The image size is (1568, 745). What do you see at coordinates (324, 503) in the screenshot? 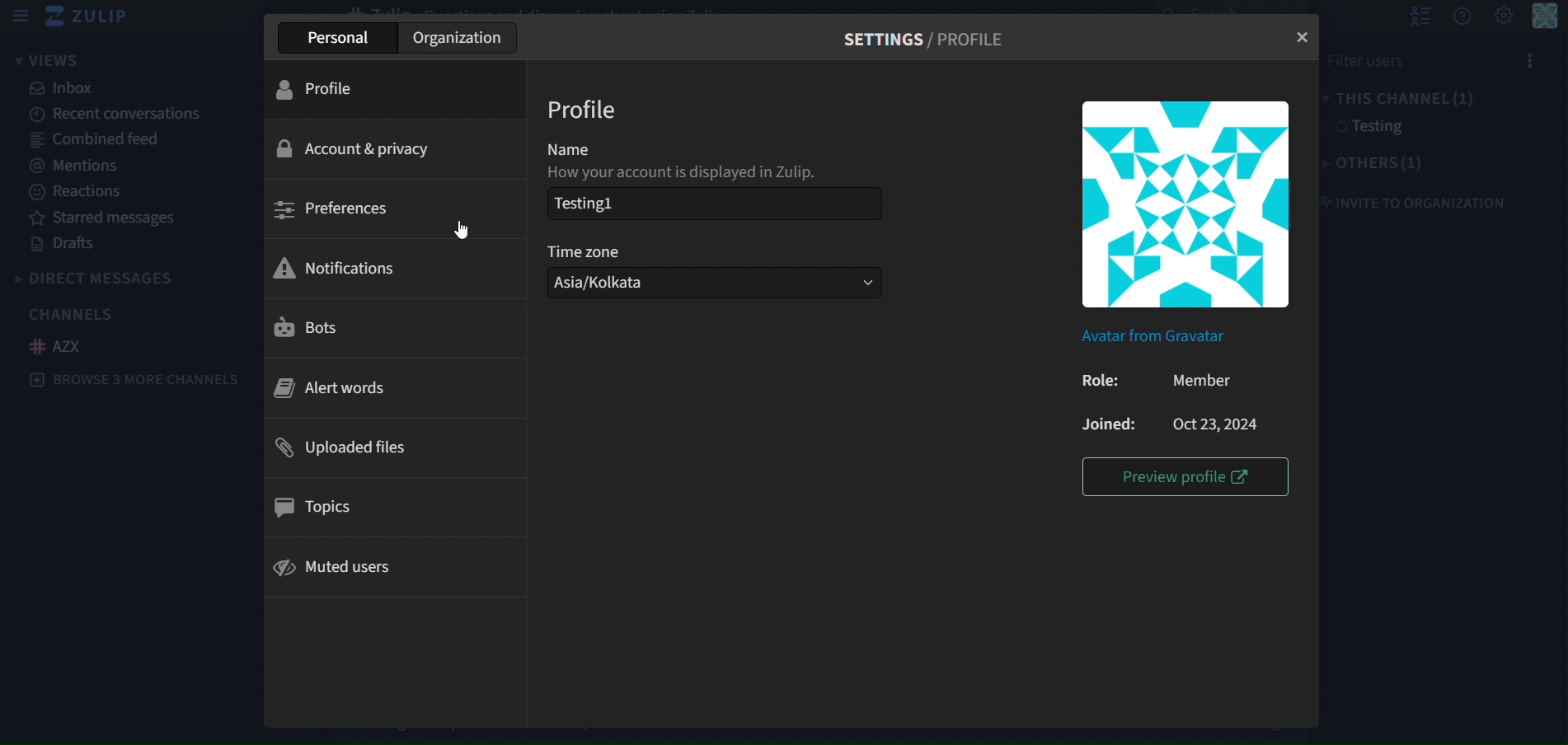
I see `topics` at bounding box center [324, 503].